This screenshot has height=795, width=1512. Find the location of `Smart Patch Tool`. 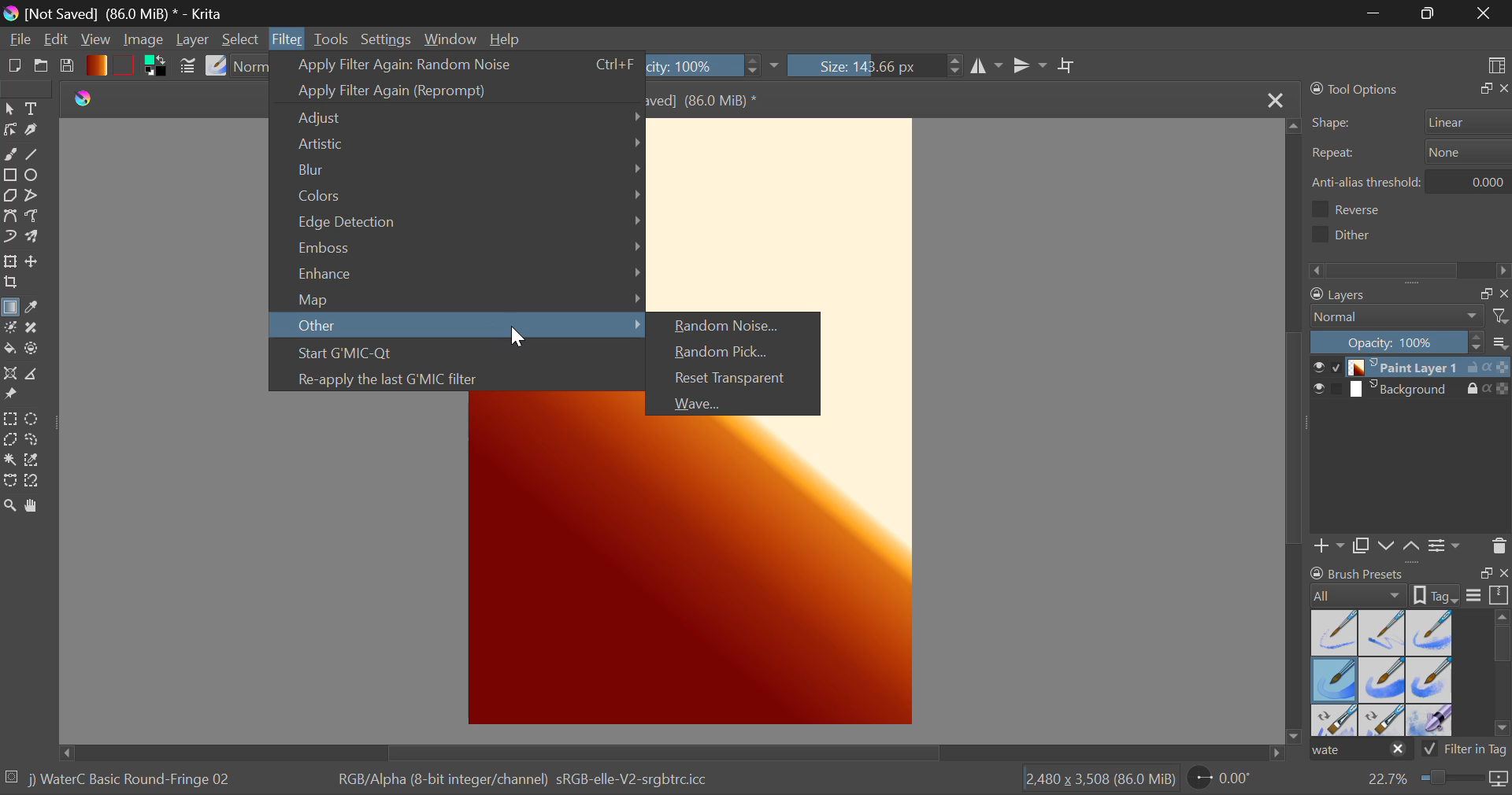

Smart Patch Tool is located at coordinates (38, 327).